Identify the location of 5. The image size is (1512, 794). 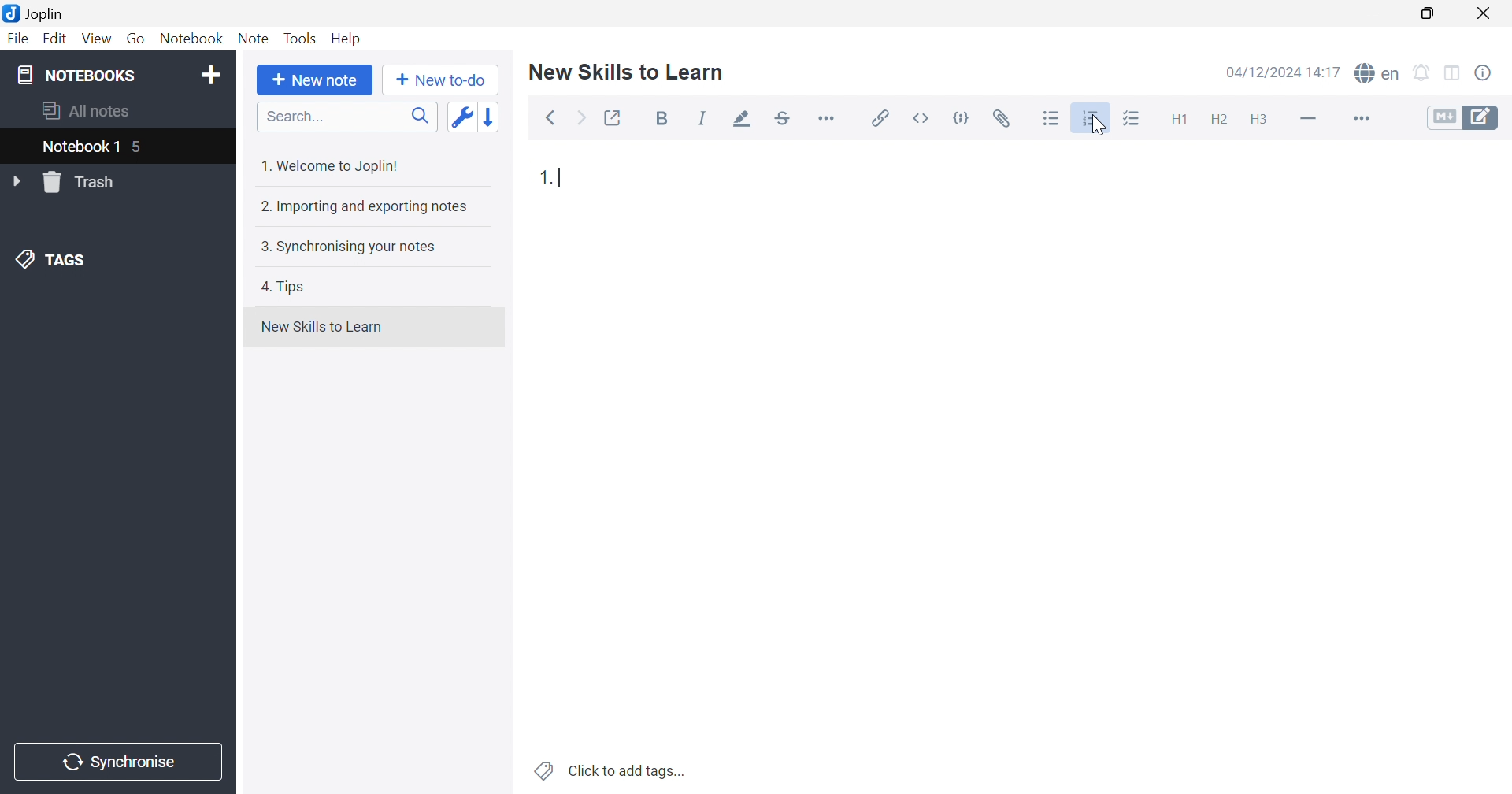
(139, 149).